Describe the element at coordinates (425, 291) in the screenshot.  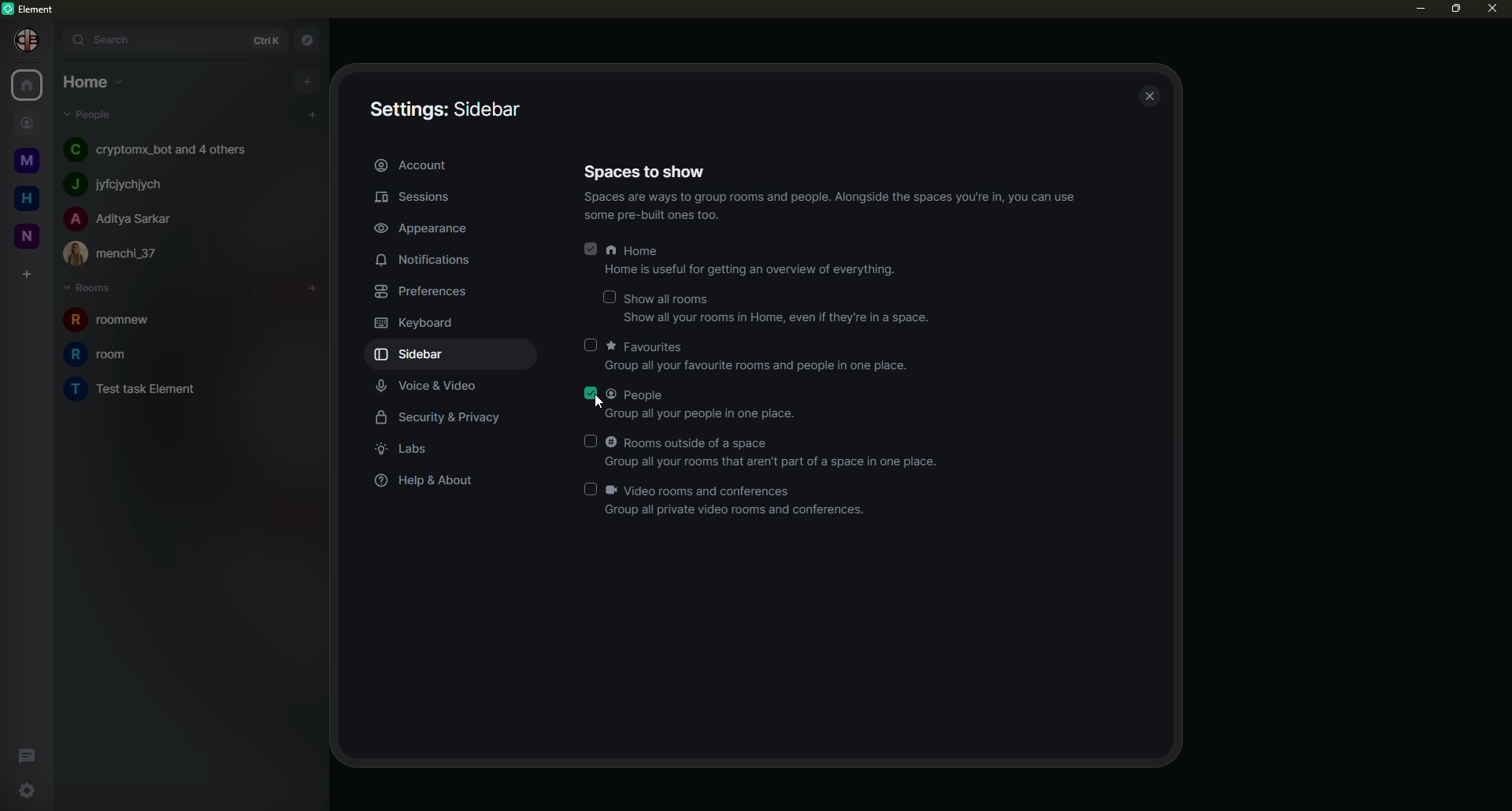
I see `preferences` at that location.